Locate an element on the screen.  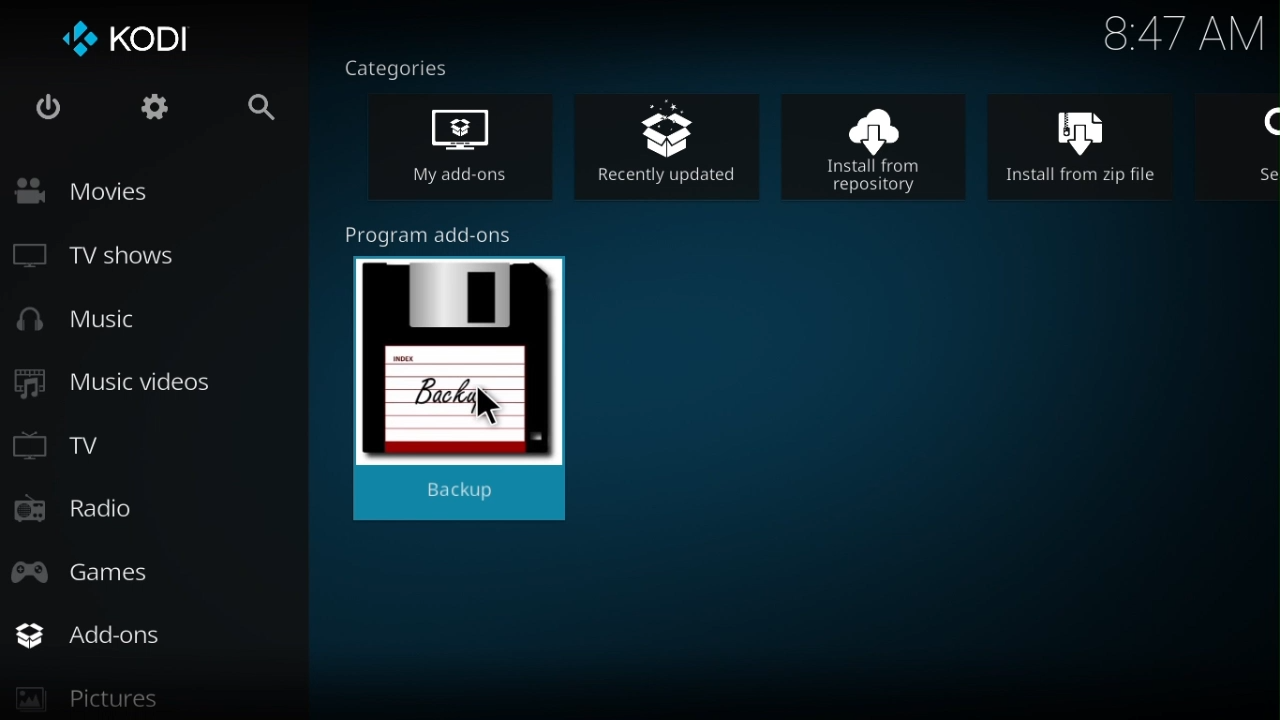
TV is located at coordinates (71, 442).